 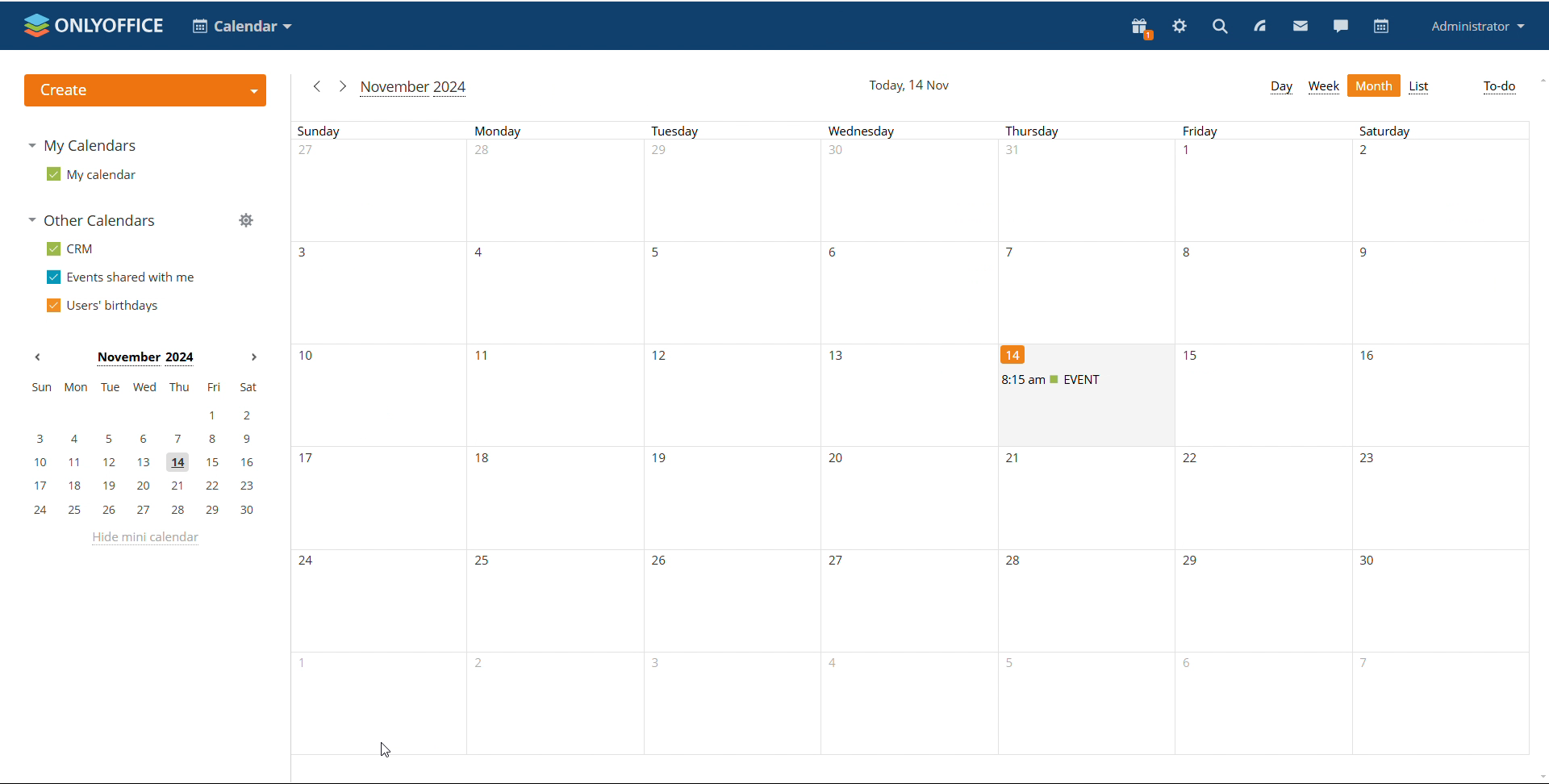 What do you see at coordinates (140, 416) in the screenshot?
I see `1, 2` at bounding box center [140, 416].